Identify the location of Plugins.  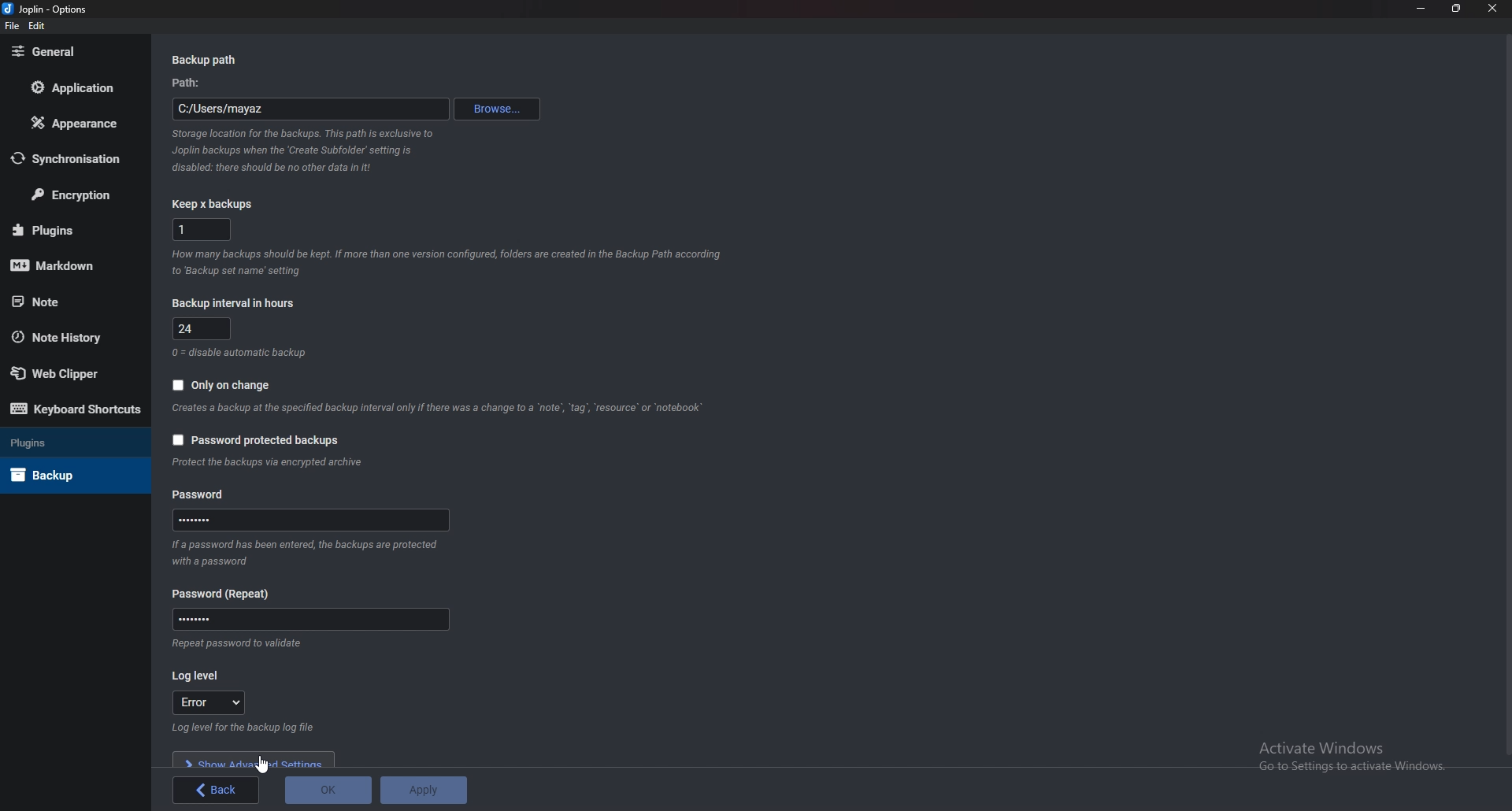
(68, 230).